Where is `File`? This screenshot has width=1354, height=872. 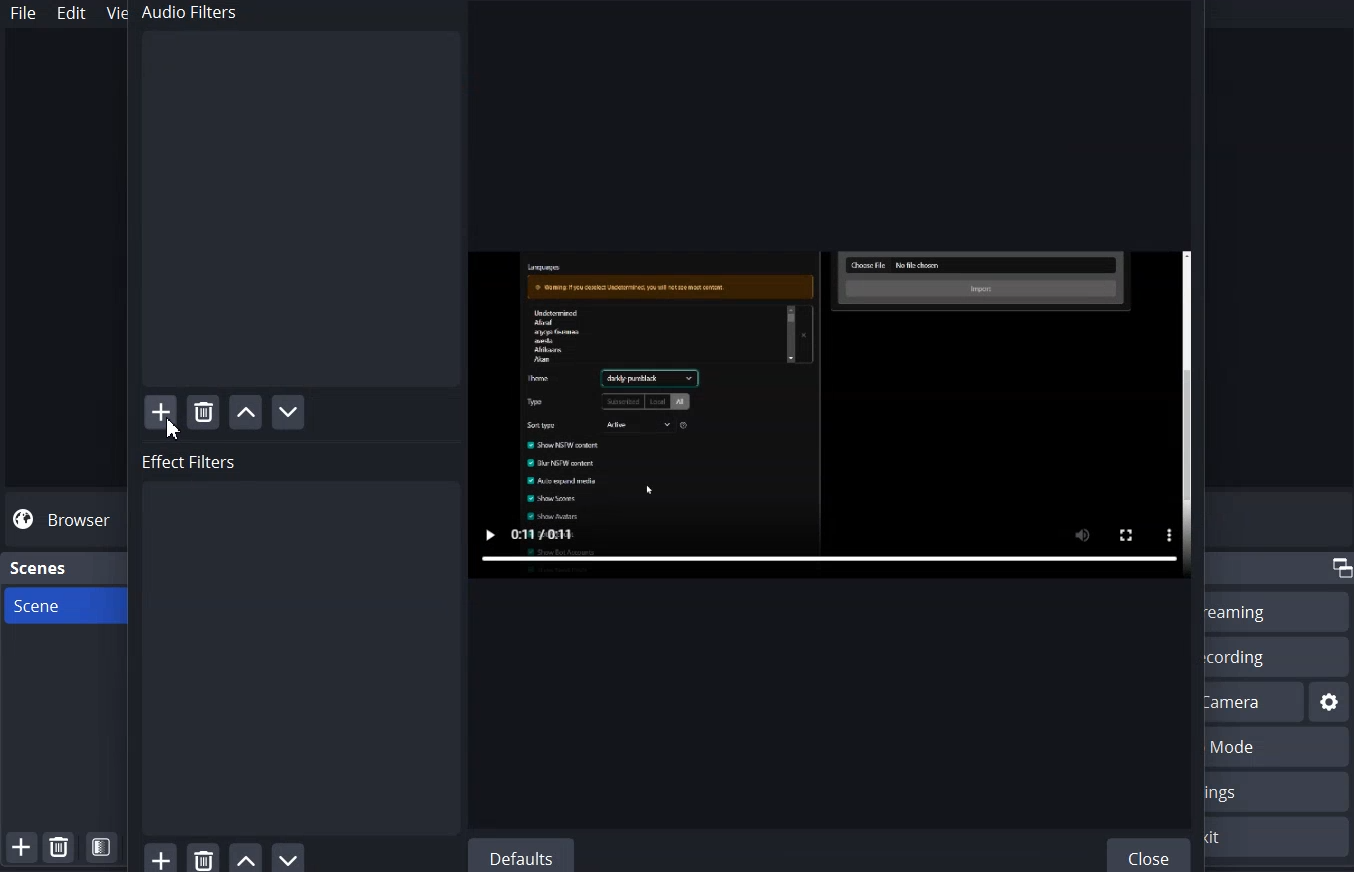
File is located at coordinates (23, 13).